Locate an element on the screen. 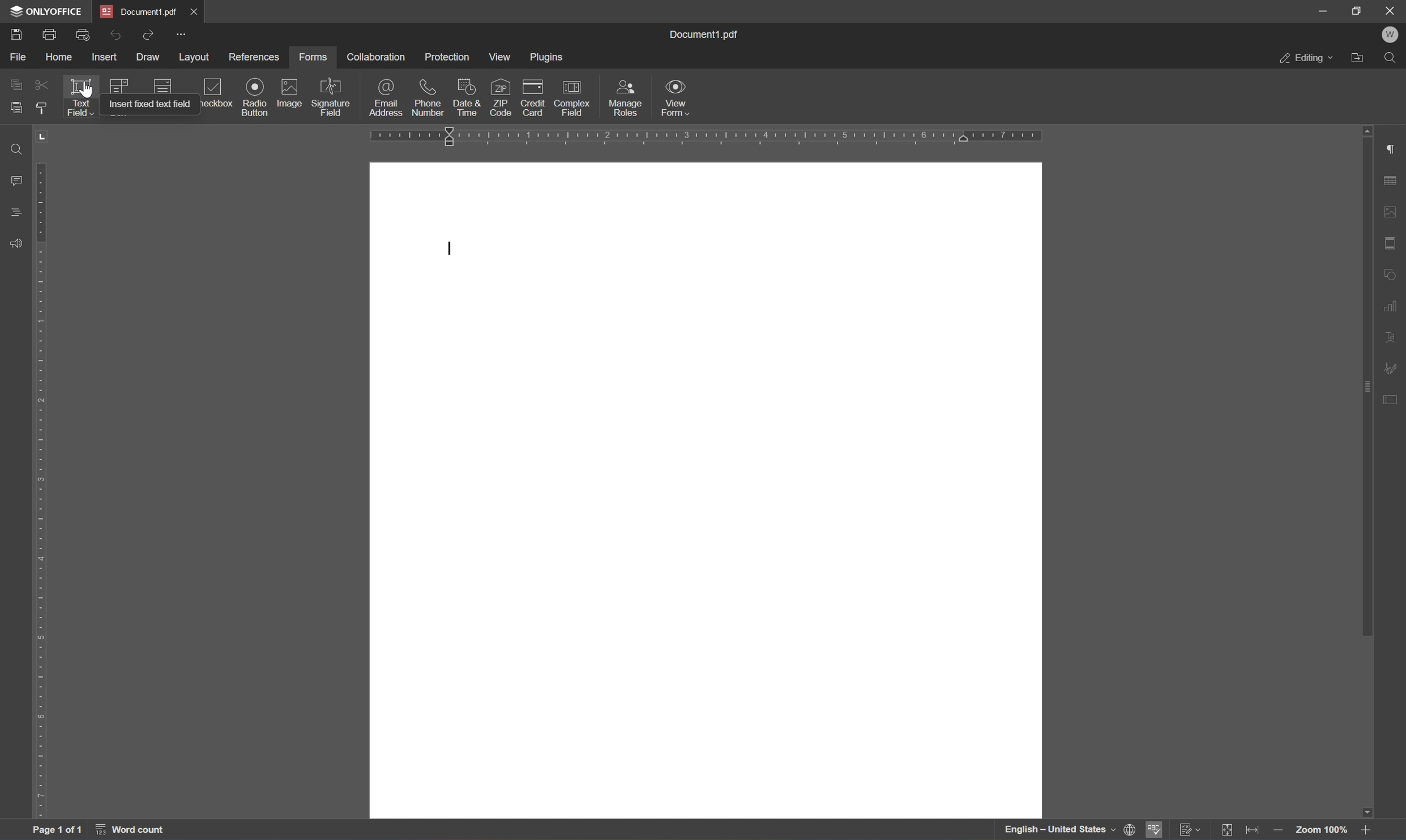 The height and width of the screenshot is (840, 1406). table settings is located at coordinates (1392, 179).